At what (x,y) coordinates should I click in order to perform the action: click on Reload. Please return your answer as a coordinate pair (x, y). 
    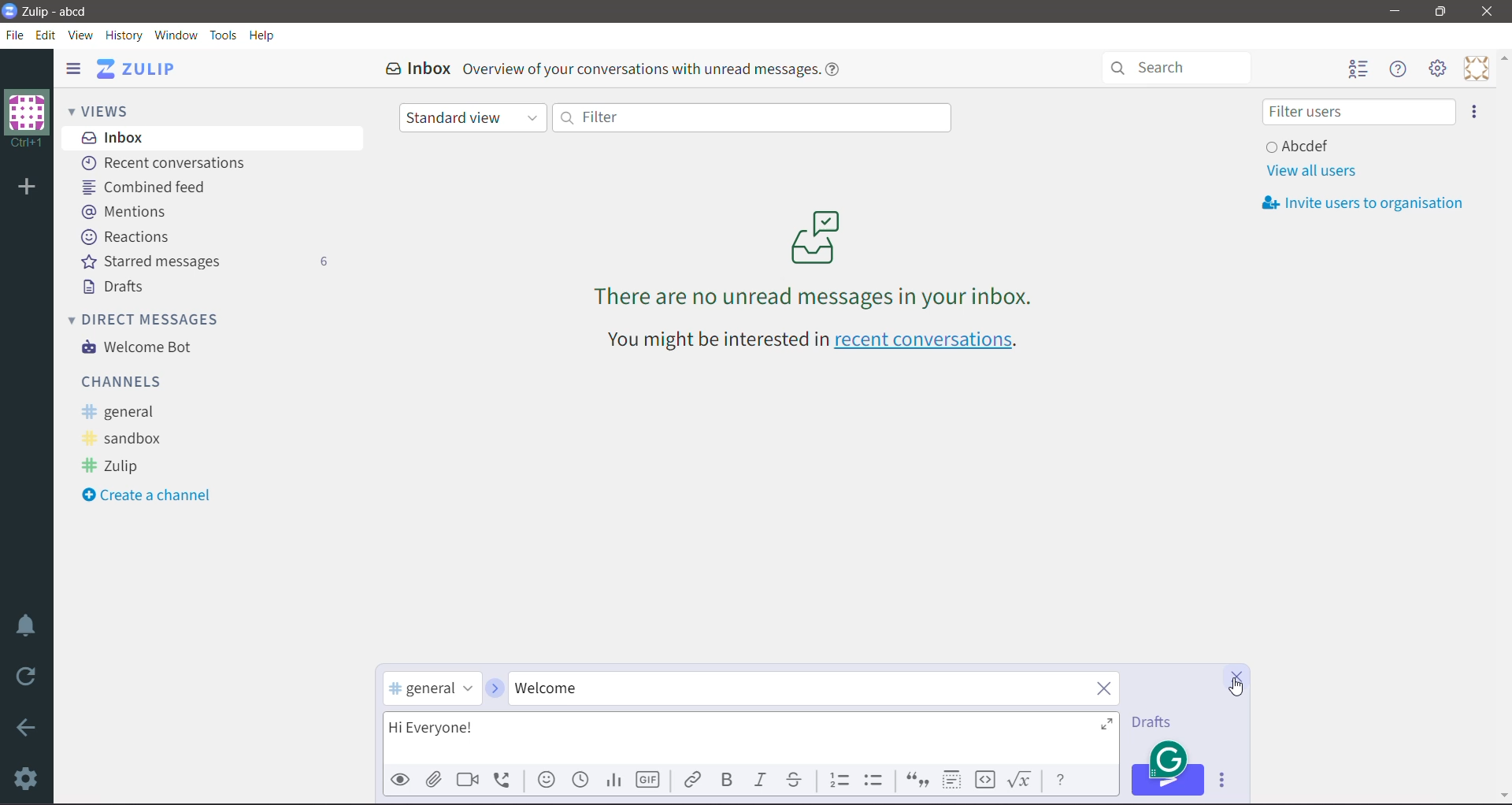
    Looking at the image, I should click on (29, 677).